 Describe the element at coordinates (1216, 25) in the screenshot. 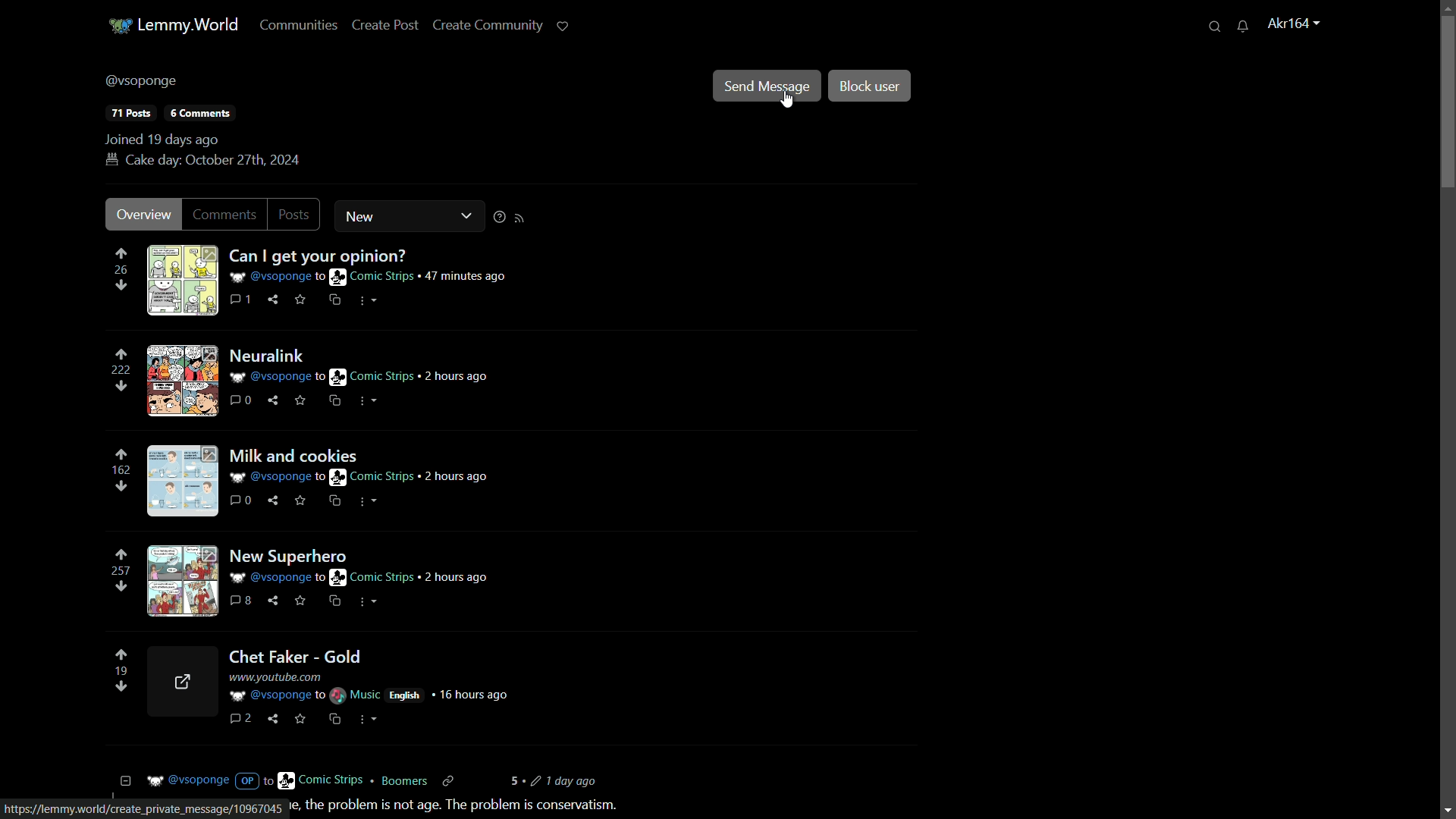

I see `search` at that location.